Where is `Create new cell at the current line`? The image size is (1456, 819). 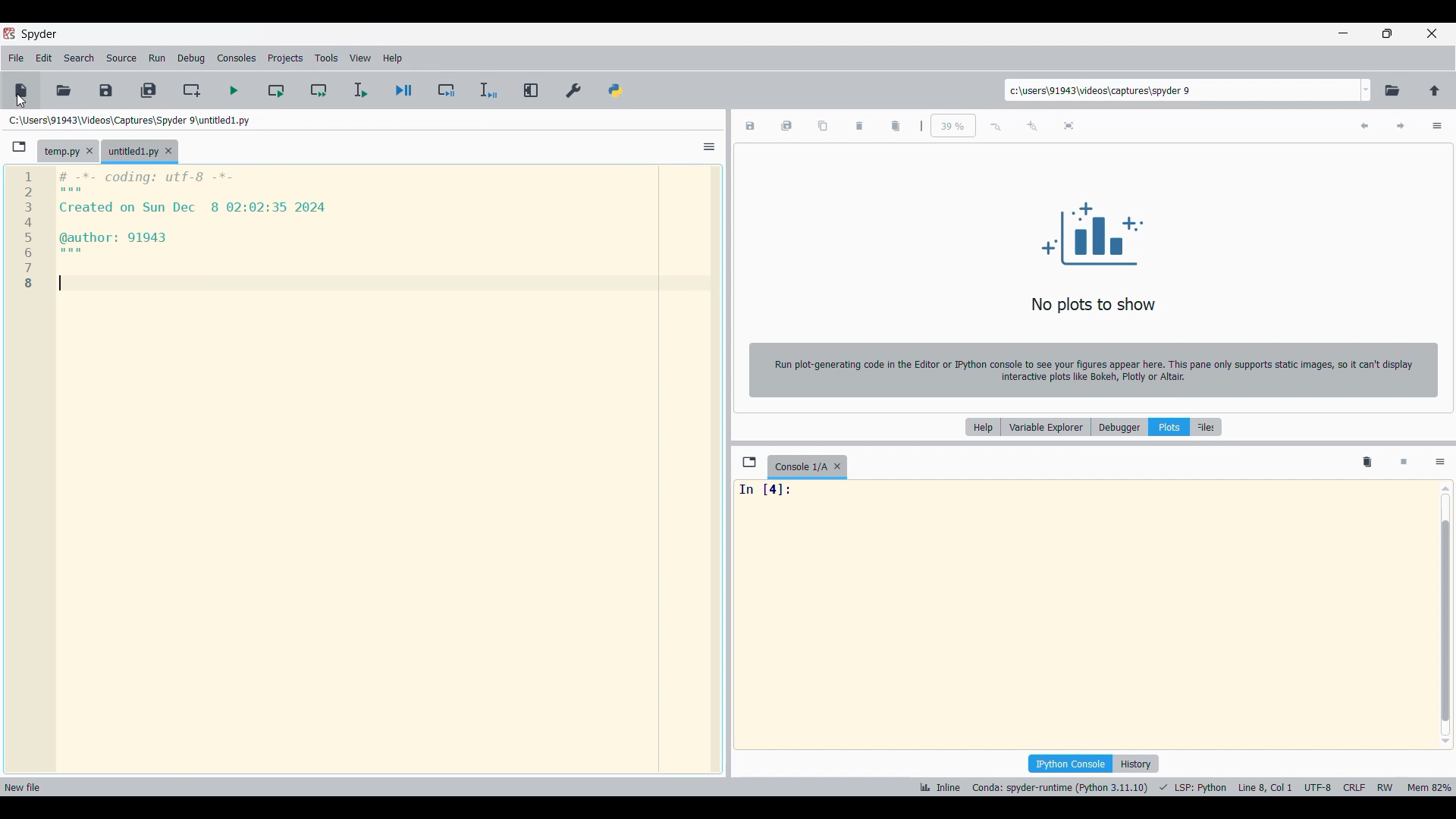
Create new cell at the current line is located at coordinates (191, 91).